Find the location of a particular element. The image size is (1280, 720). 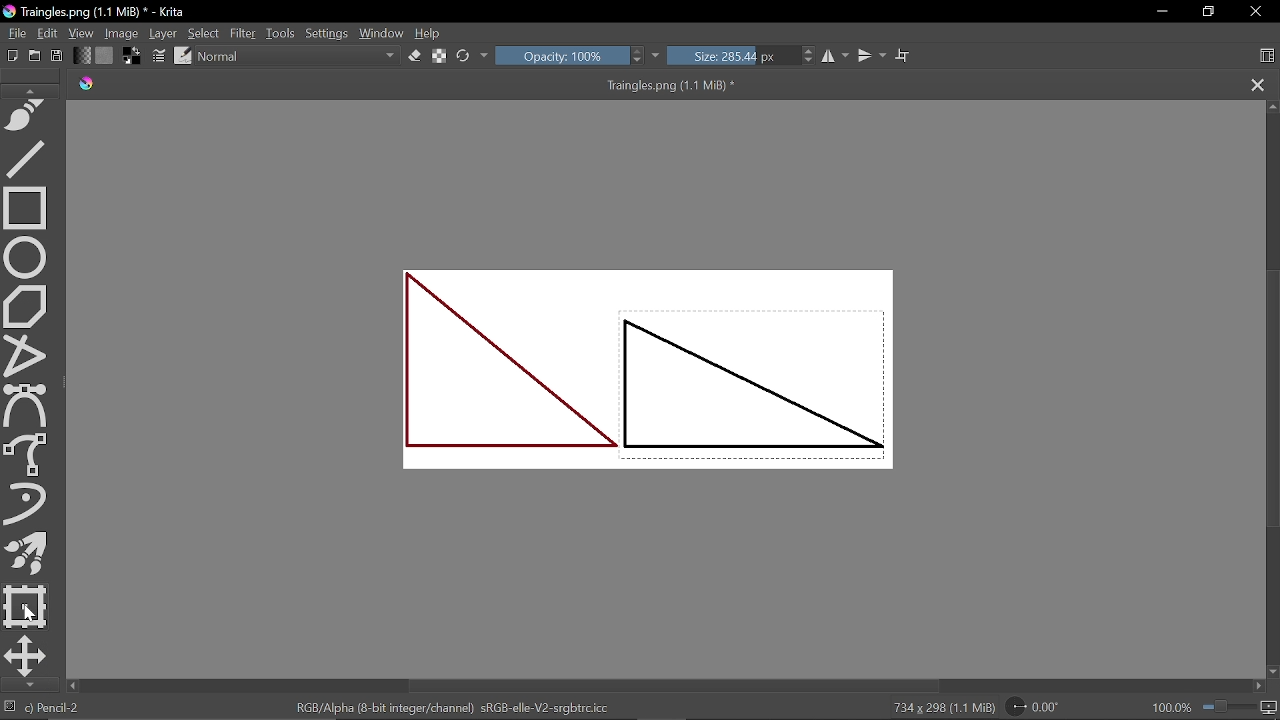

Horizontal mirror is located at coordinates (836, 56).